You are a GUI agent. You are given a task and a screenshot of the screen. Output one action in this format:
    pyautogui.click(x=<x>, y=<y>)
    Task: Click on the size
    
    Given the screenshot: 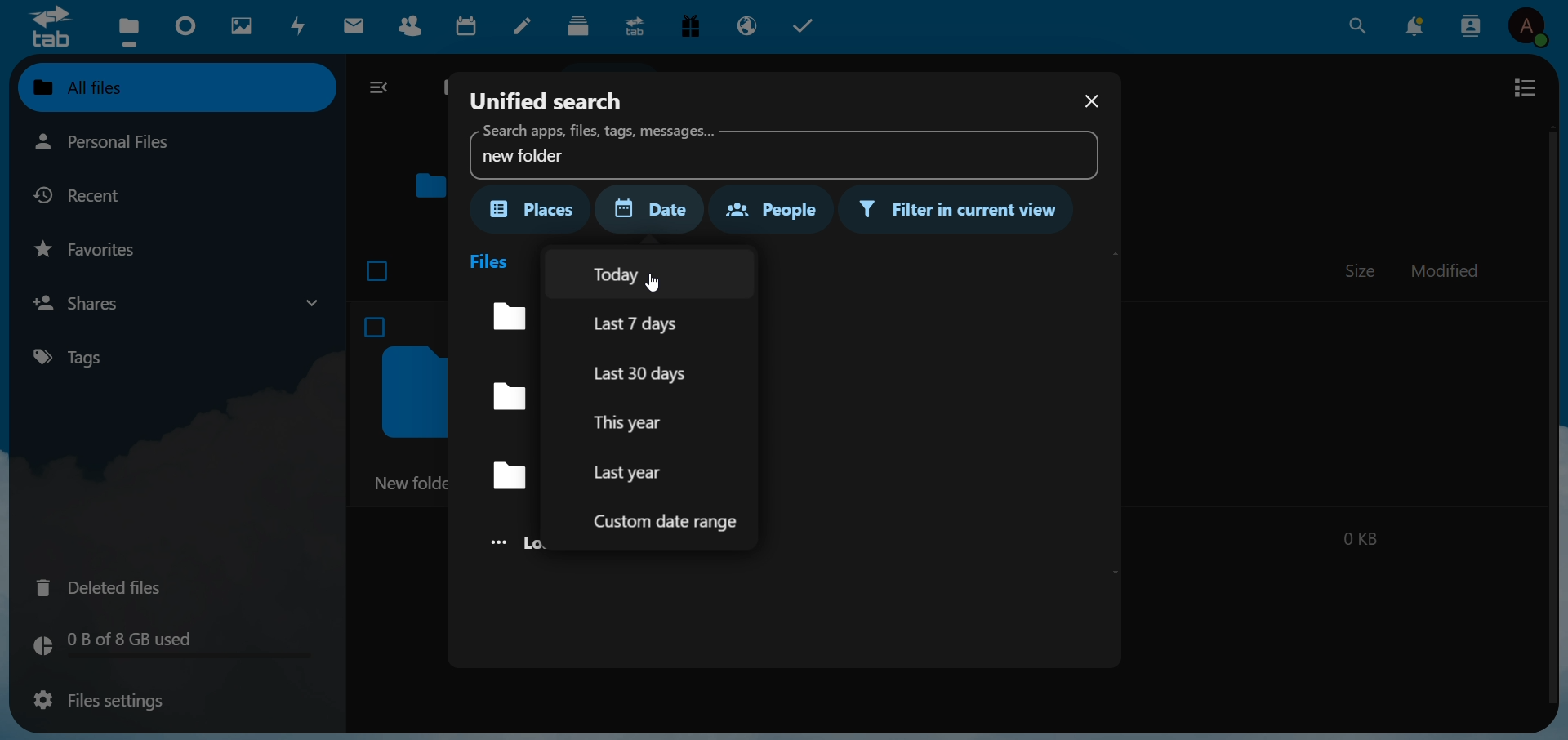 What is the action you would take?
    pyautogui.click(x=1361, y=270)
    